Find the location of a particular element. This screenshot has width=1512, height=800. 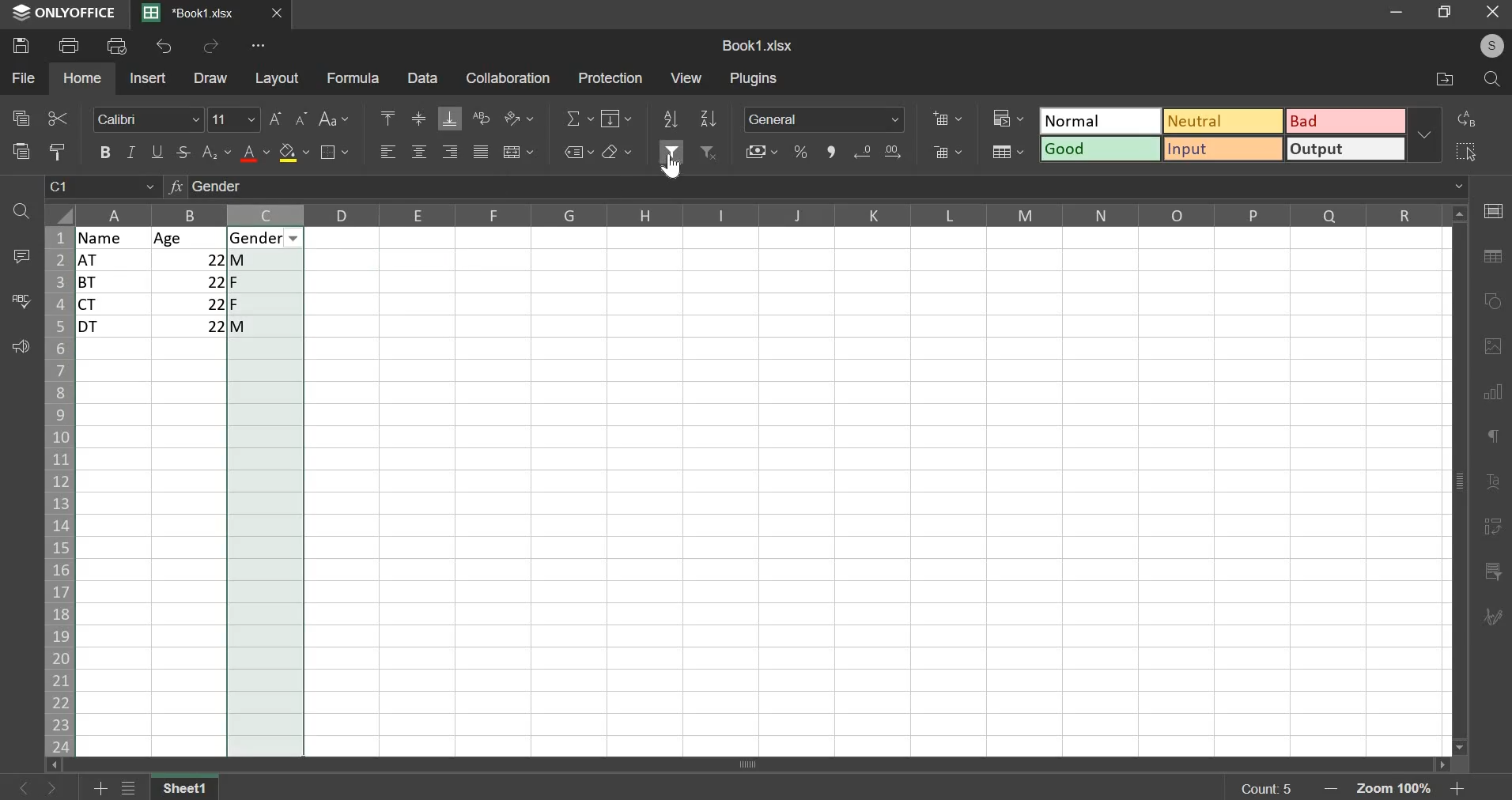

align right is located at coordinates (449, 152).